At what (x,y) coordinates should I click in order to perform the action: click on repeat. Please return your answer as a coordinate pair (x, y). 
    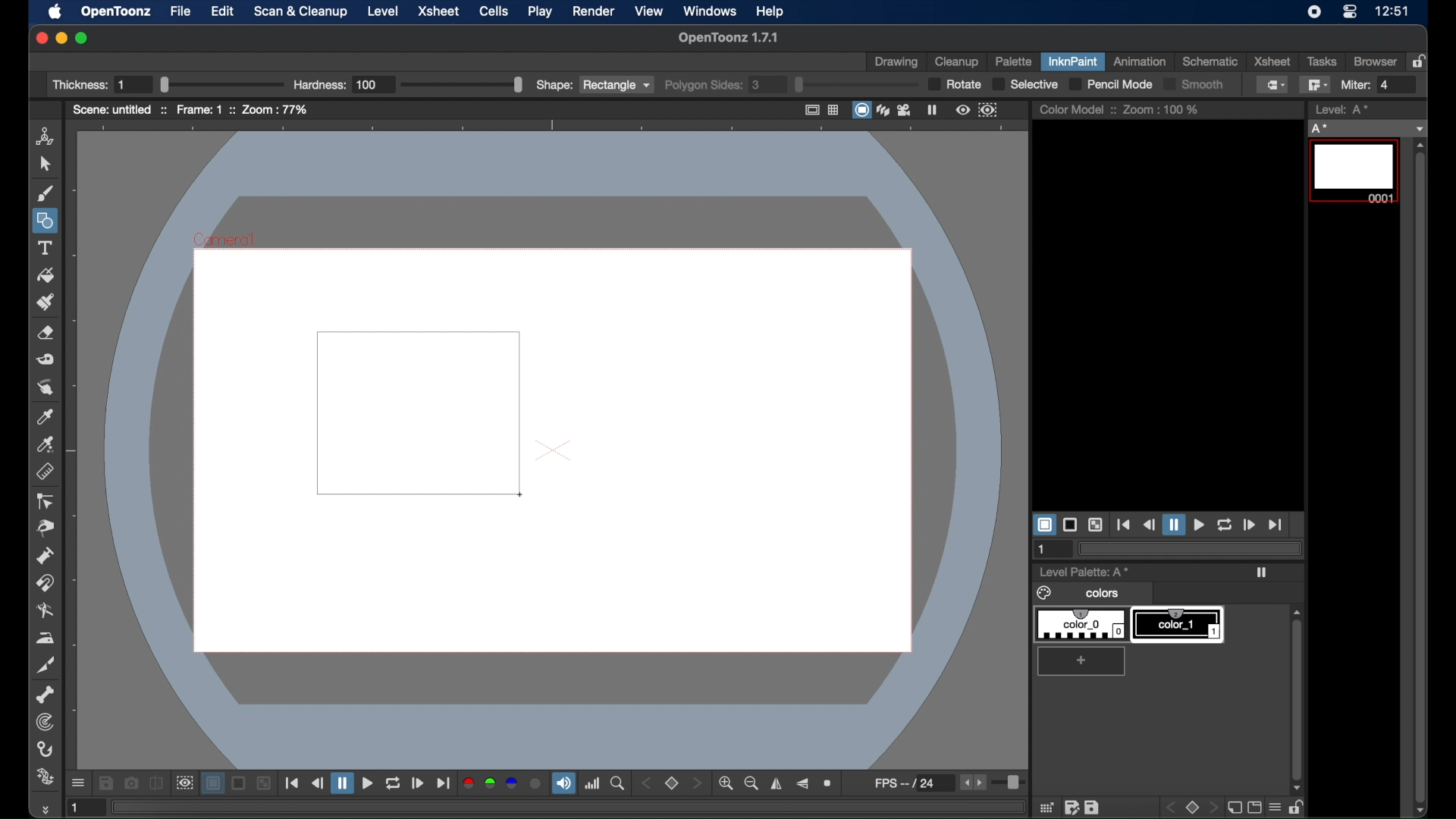
    Looking at the image, I should click on (392, 784).